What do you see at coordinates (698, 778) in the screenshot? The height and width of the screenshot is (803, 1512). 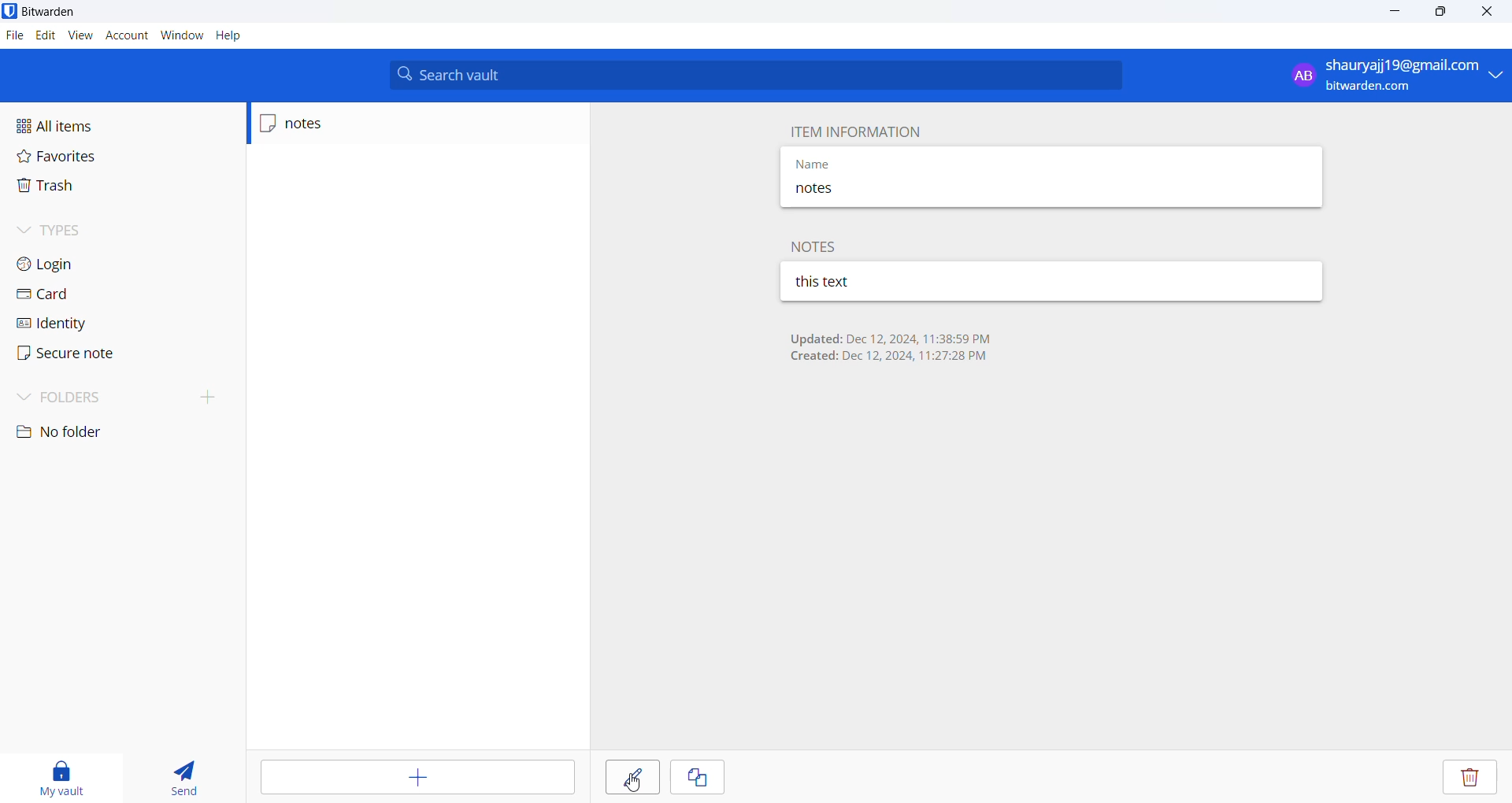 I see `copy` at bounding box center [698, 778].